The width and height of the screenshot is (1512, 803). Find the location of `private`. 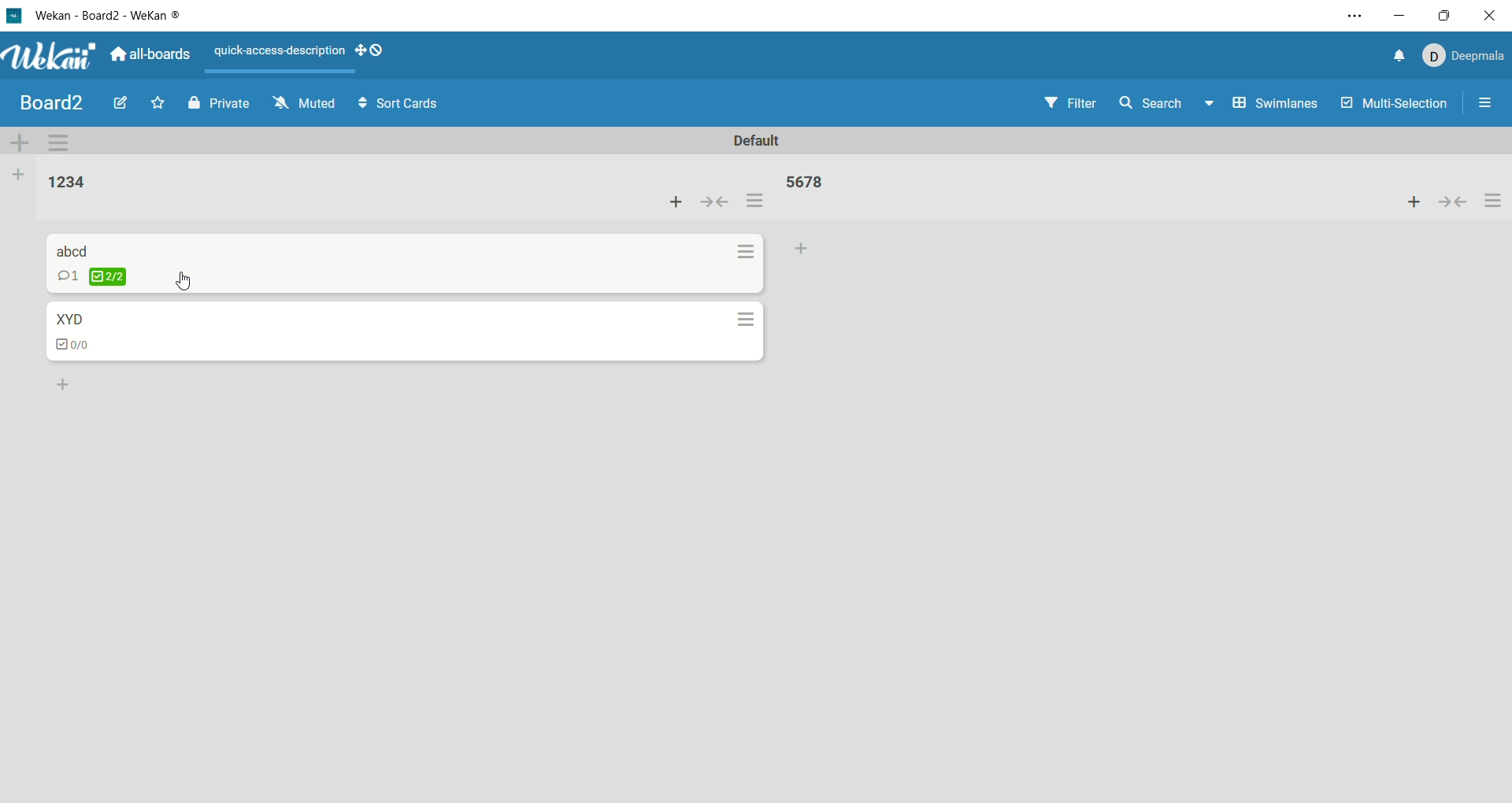

private is located at coordinates (219, 102).